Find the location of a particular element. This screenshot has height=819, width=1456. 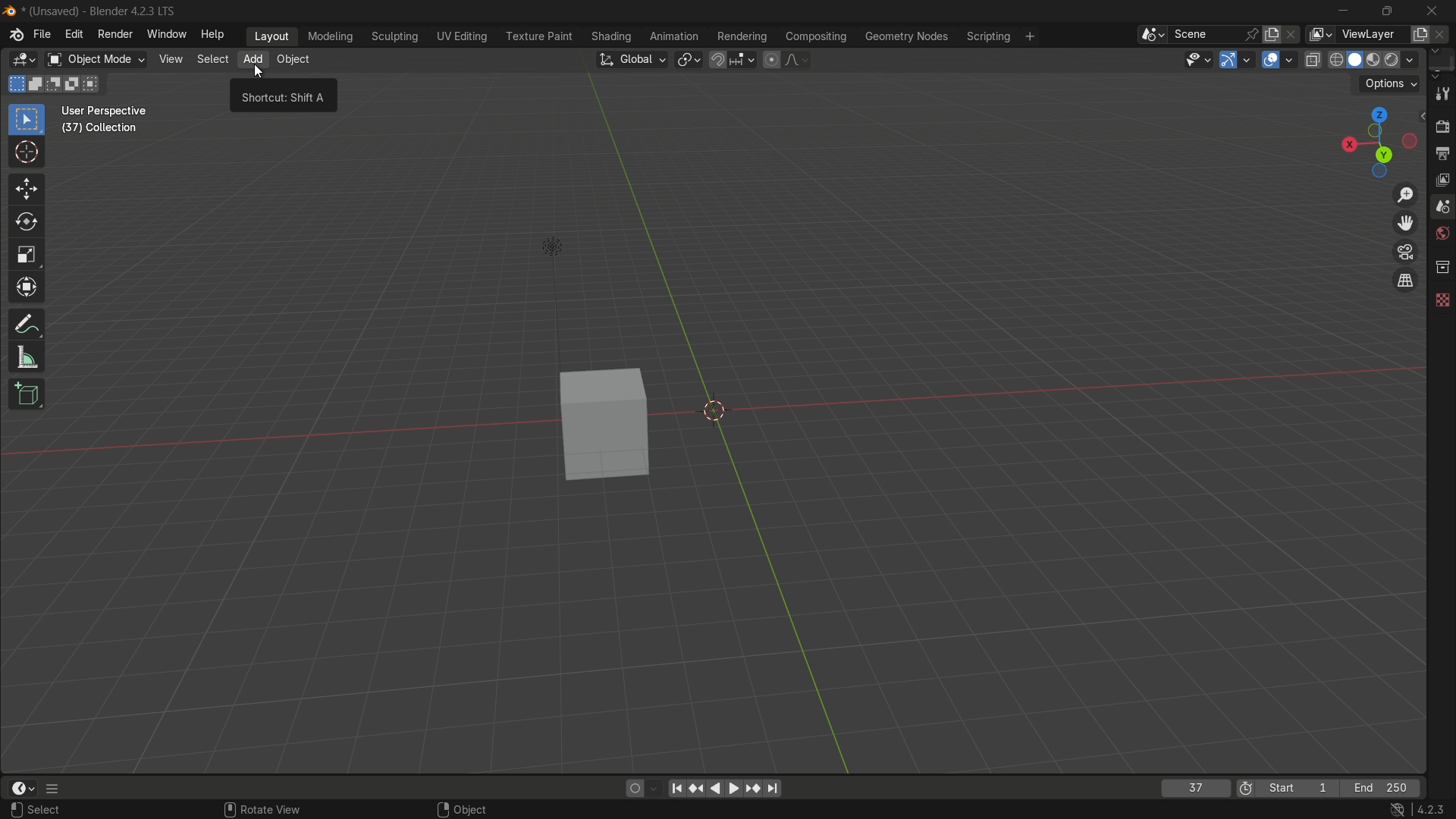

toggle the camera view is located at coordinates (1405, 251).